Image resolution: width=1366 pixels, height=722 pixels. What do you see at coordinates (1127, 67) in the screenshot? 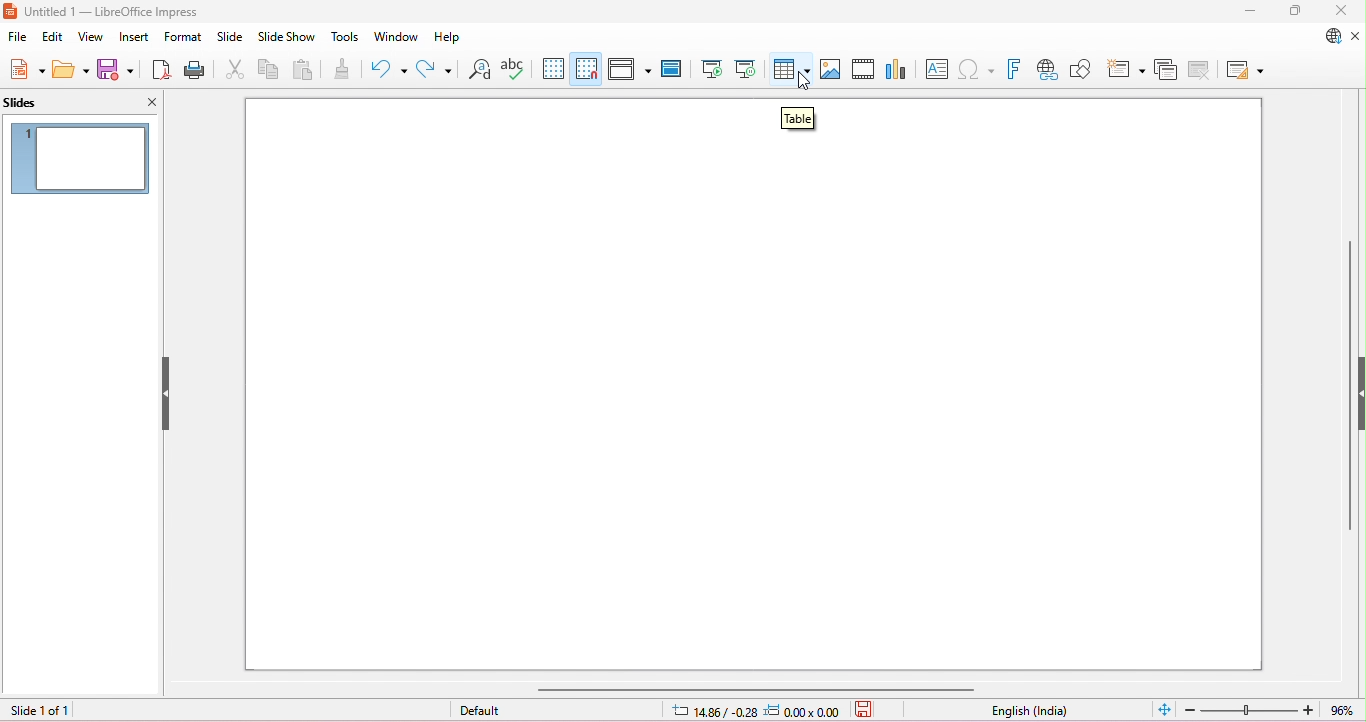
I see `new slide` at bounding box center [1127, 67].